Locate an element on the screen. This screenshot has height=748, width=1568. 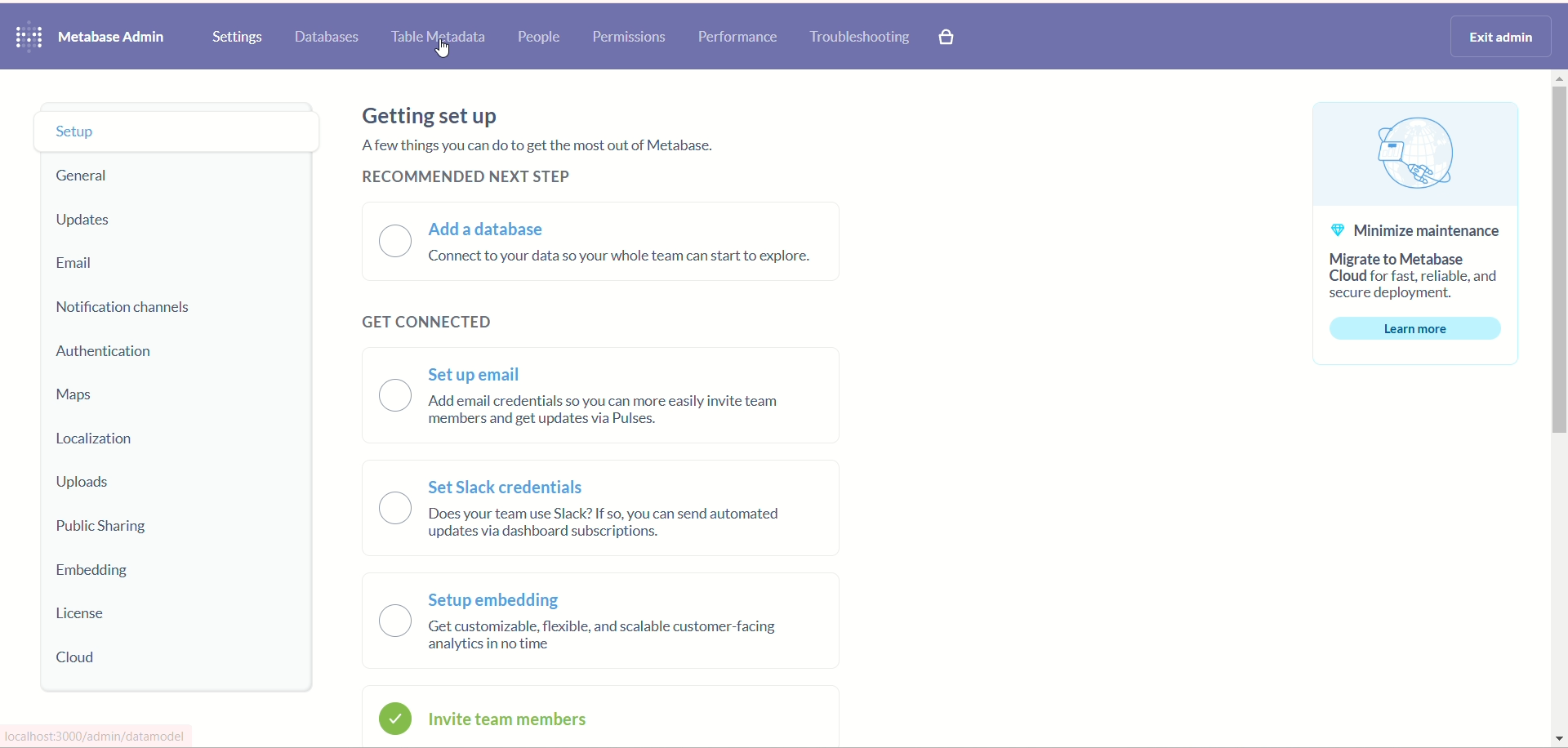
maps is located at coordinates (80, 394).